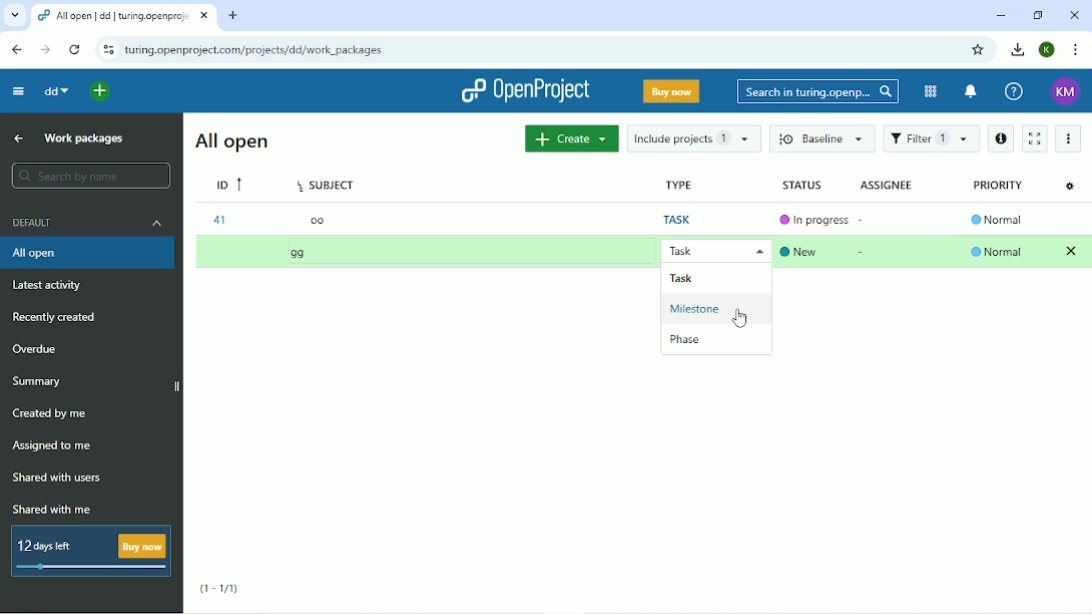 This screenshot has width=1092, height=614. I want to click on Up, so click(16, 138).